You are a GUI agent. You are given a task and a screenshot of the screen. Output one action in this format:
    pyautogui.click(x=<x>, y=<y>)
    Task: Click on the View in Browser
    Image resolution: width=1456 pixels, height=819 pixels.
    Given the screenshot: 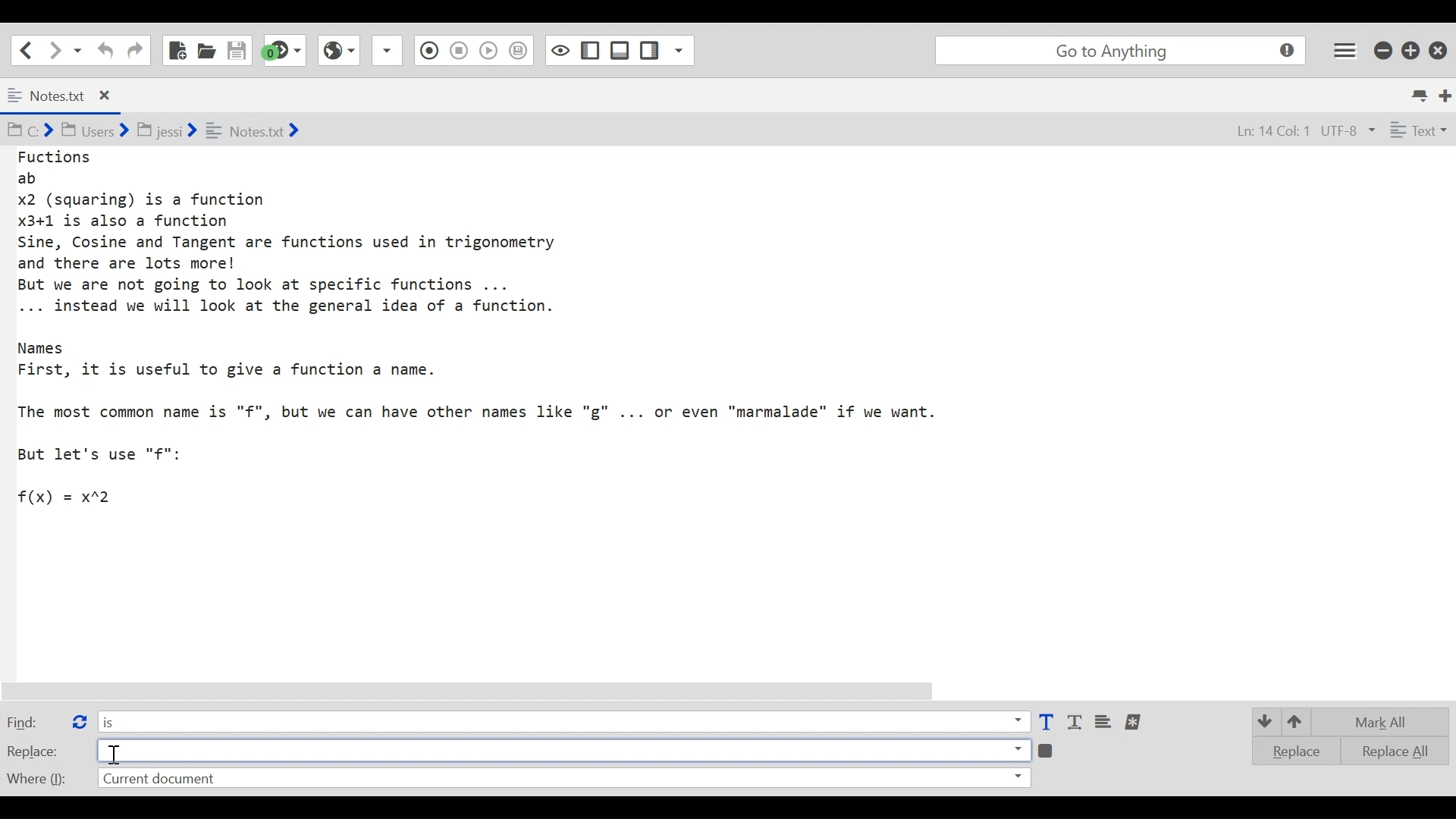 What is the action you would take?
    pyautogui.click(x=458, y=49)
    